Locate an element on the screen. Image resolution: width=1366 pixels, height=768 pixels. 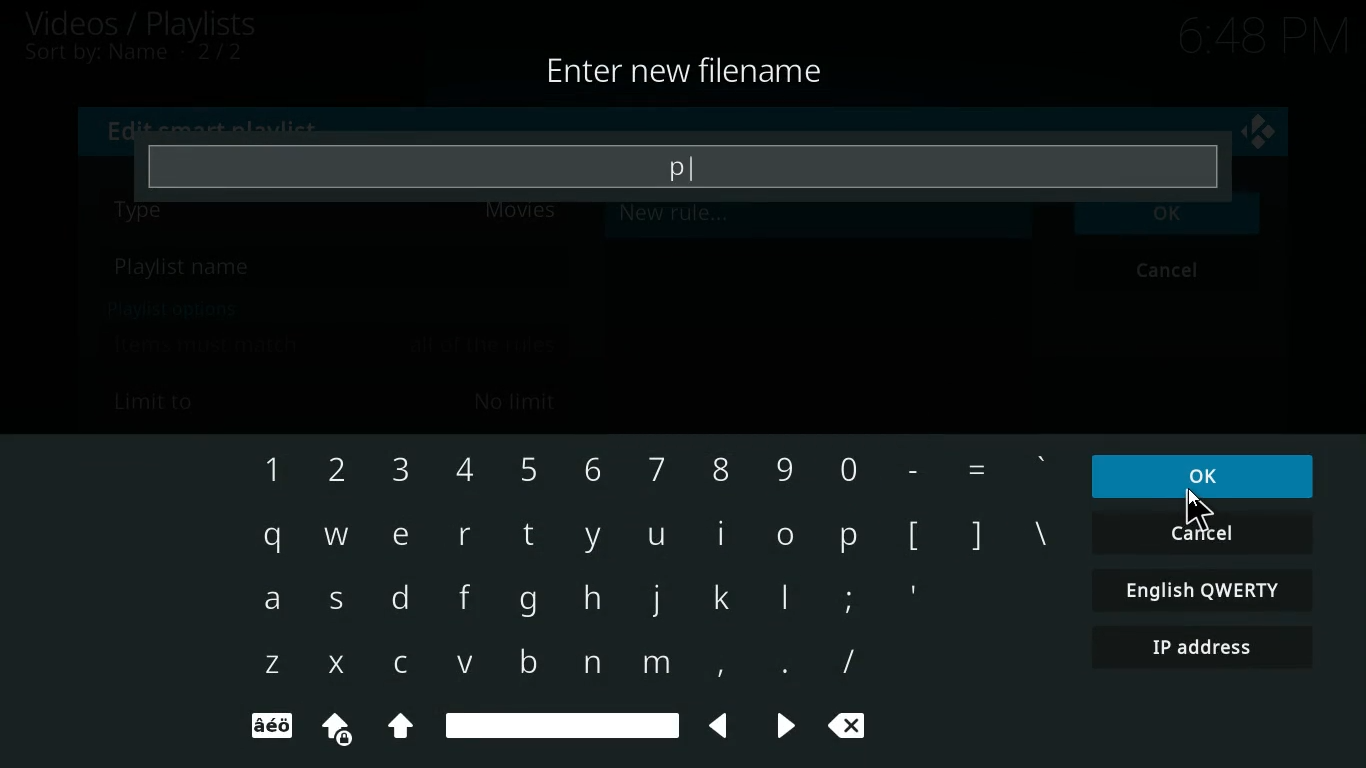
o is located at coordinates (786, 534).